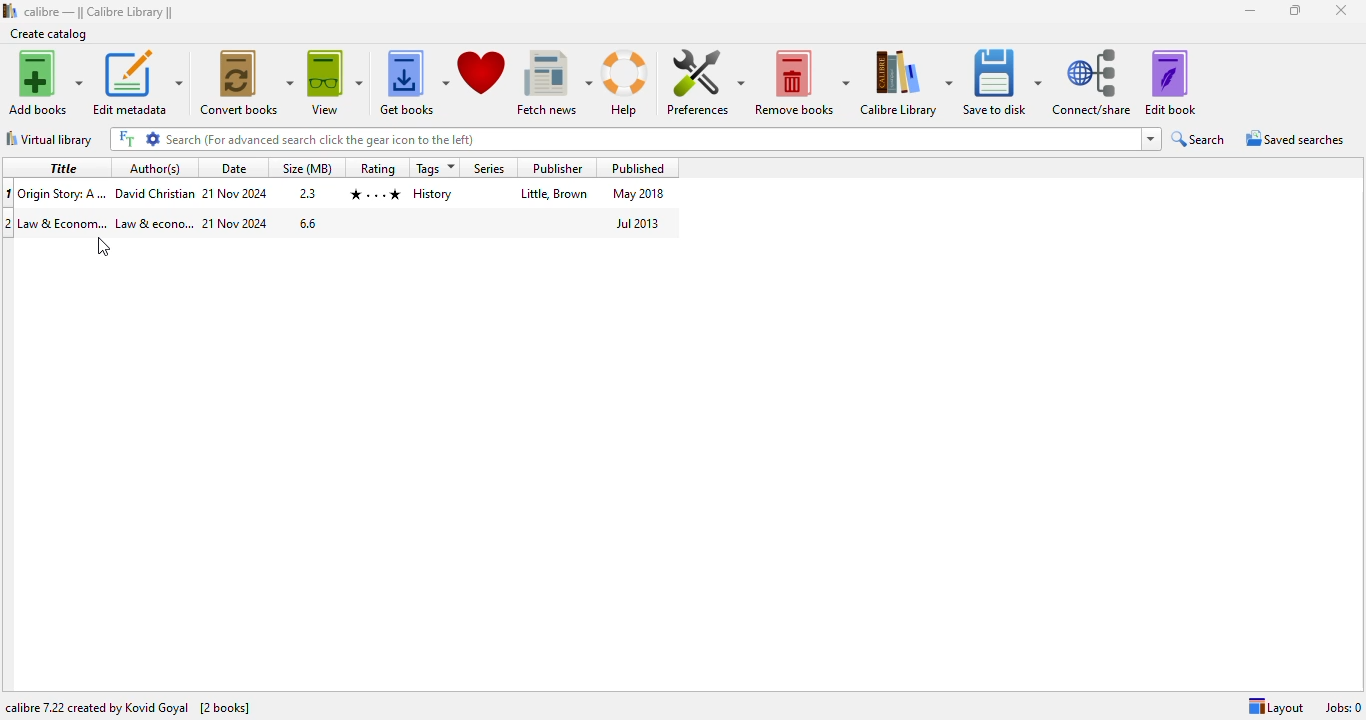 The height and width of the screenshot is (720, 1366). What do you see at coordinates (1250, 11) in the screenshot?
I see `minimize` at bounding box center [1250, 11].